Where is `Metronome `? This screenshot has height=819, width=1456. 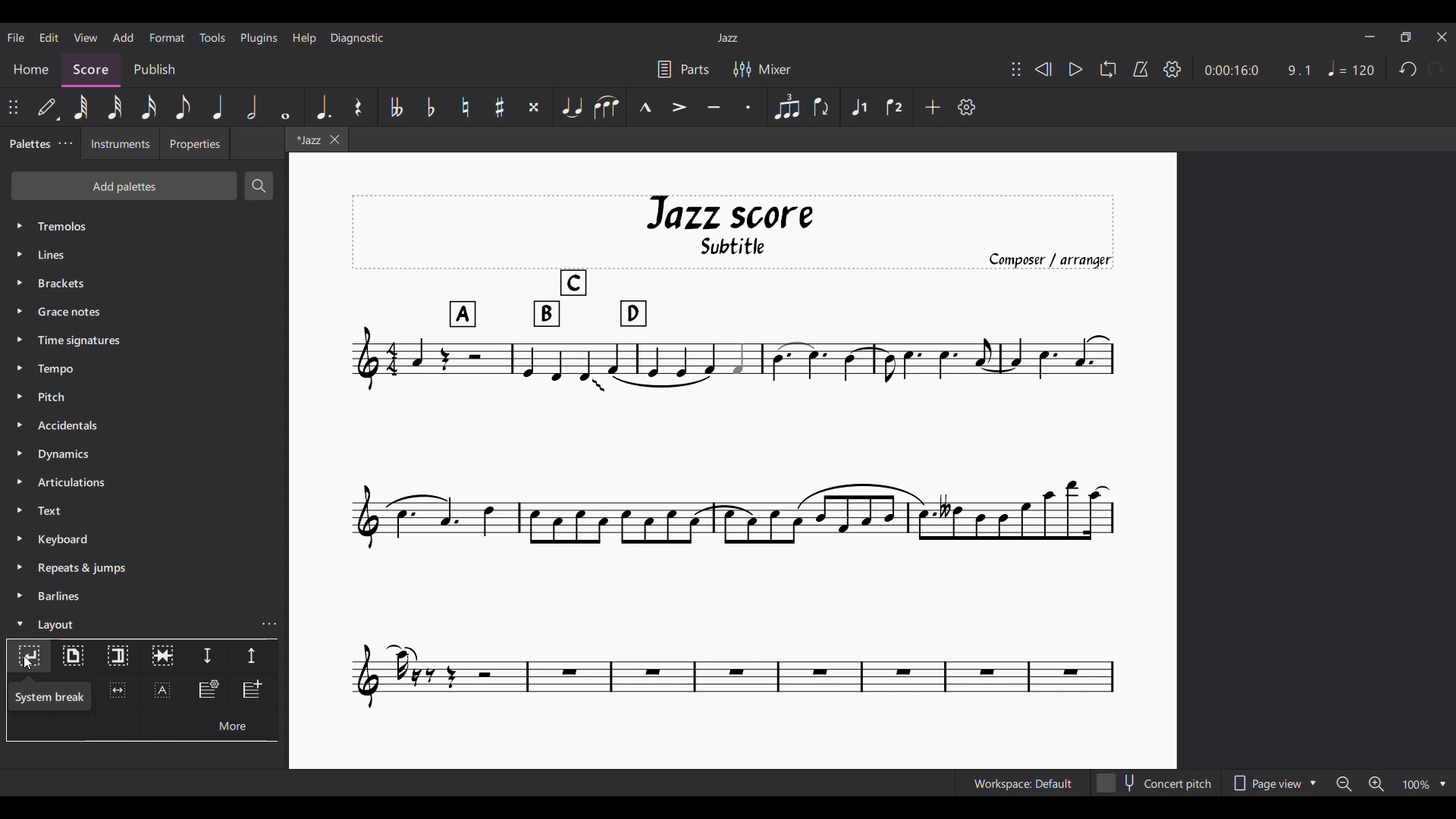 Metronome  is located at coordinates (1141, 69).